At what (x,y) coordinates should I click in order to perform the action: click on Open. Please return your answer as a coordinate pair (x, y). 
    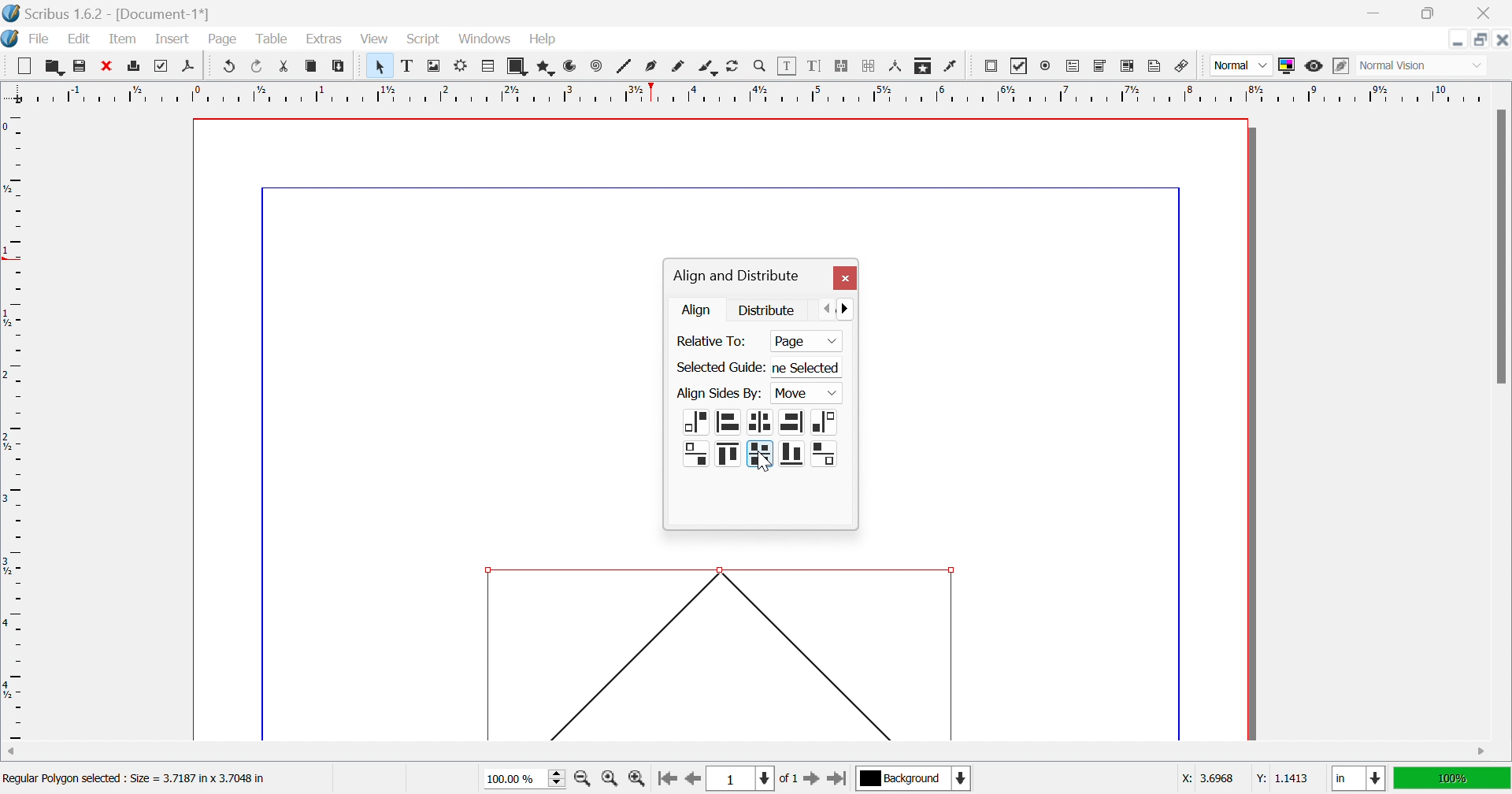
    Looking at the image, I should click on (54, 65).